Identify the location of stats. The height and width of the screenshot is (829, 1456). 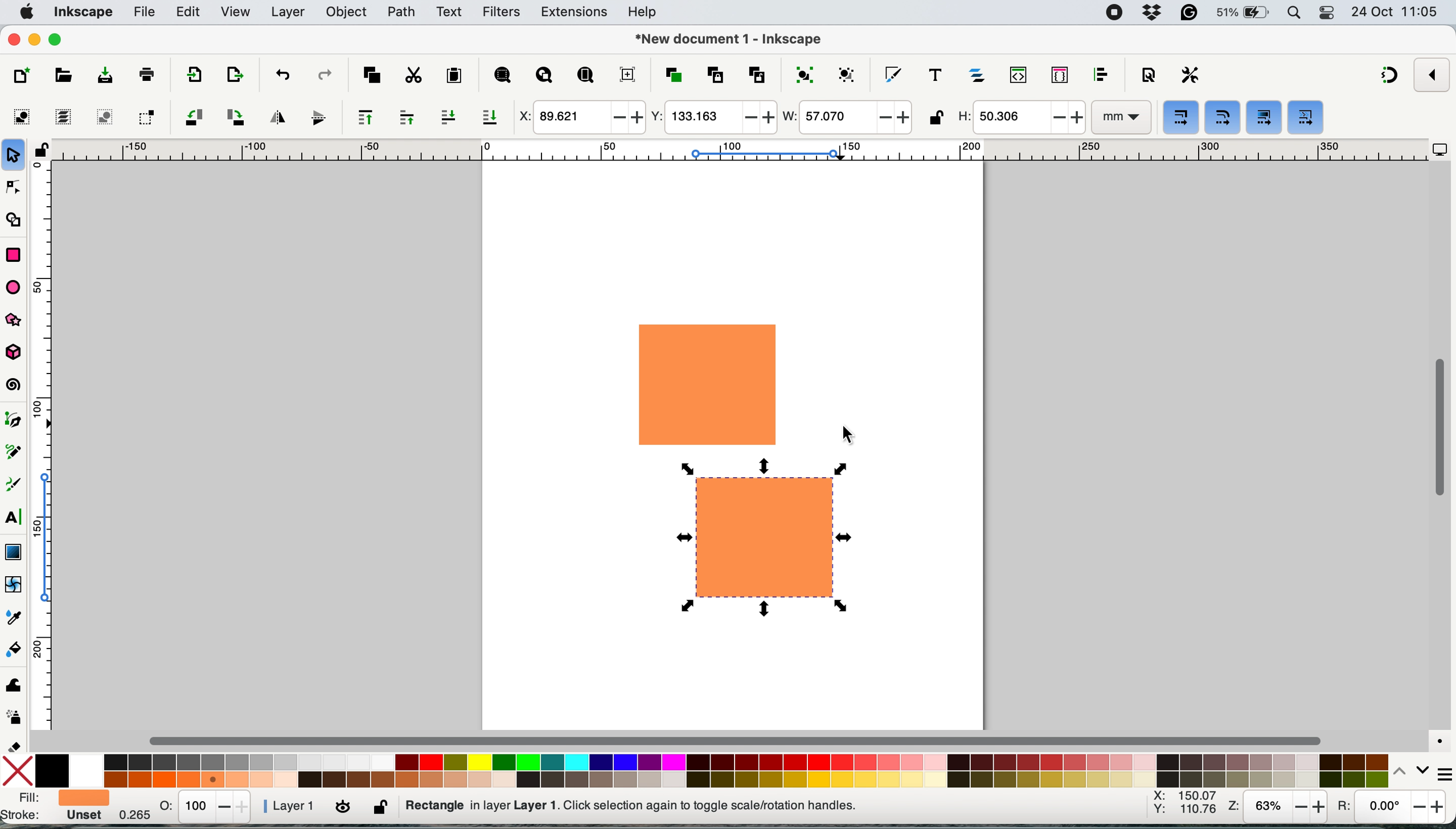
(206, 806).